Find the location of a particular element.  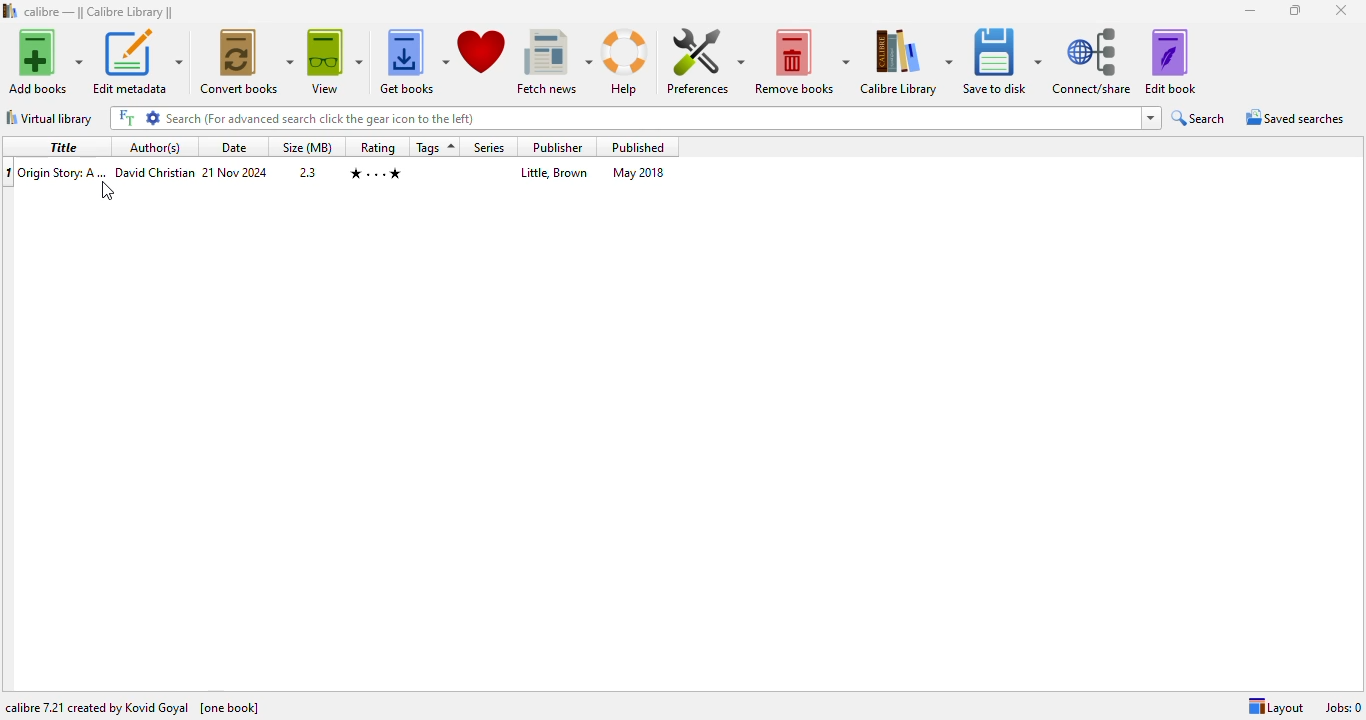

published is located at coordinates (638, 147).